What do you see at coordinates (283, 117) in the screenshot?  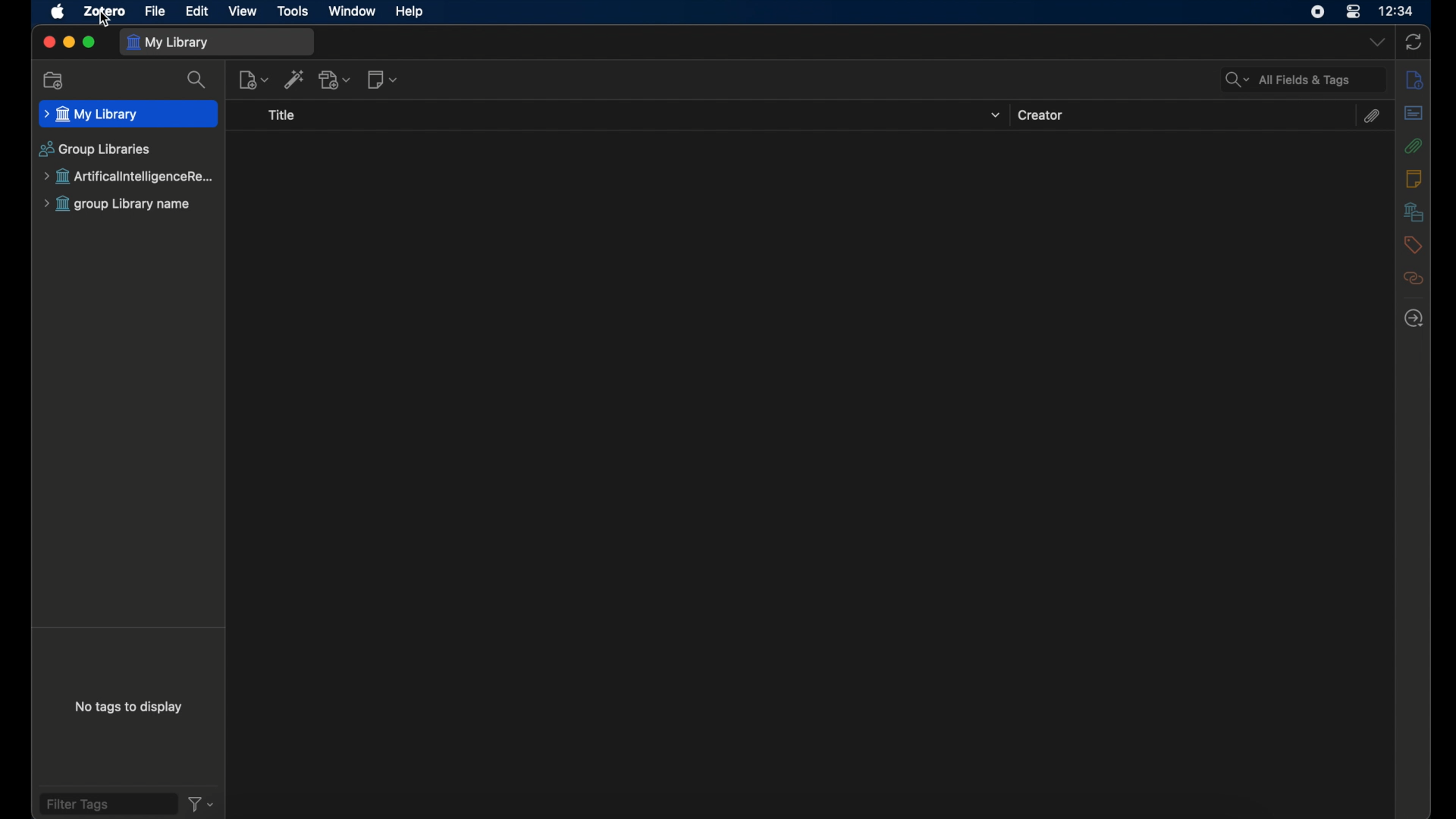 I see `title ` at bounding box center [283, 117].